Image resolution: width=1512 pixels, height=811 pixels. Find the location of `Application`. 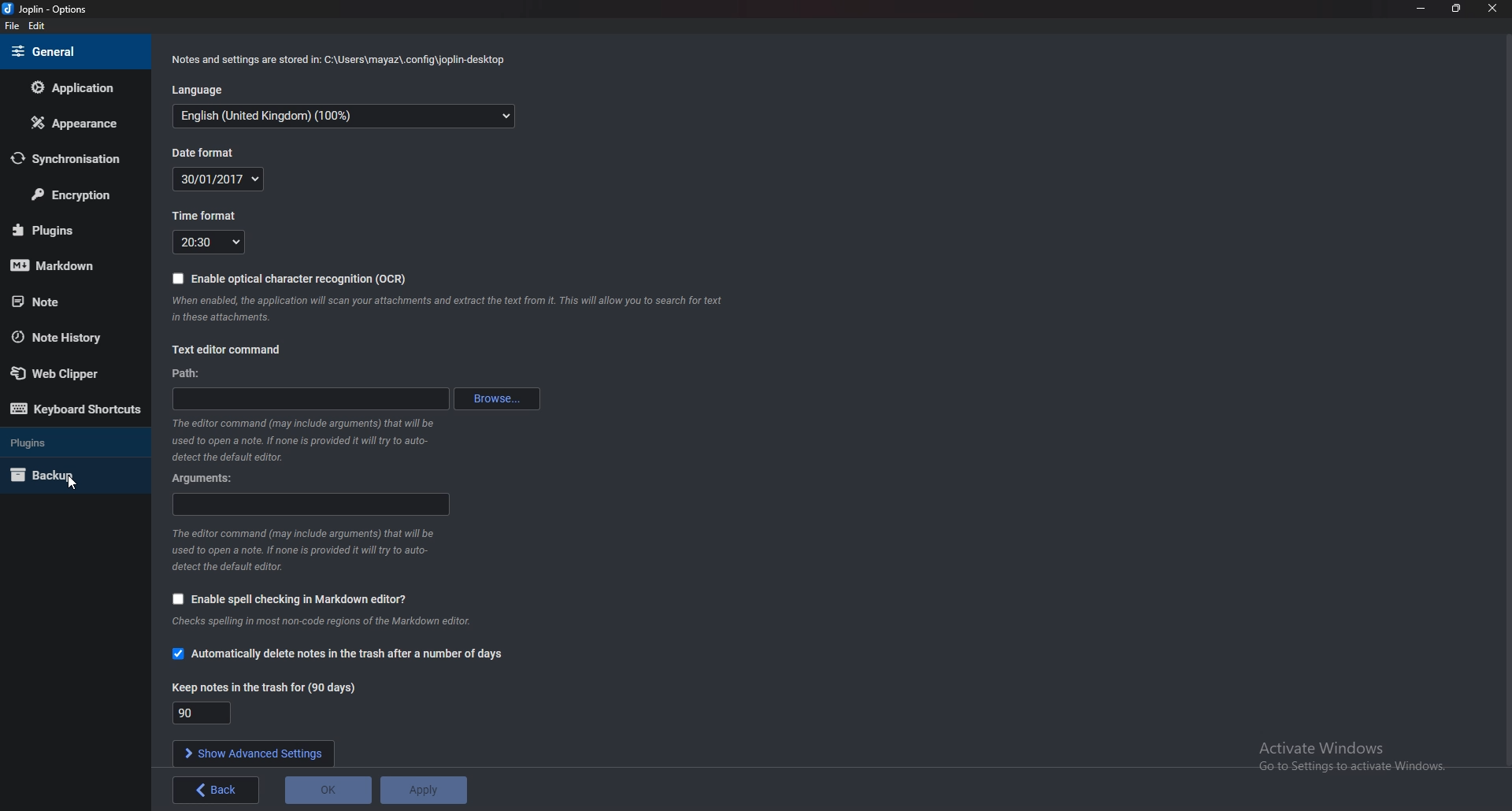

Application is located at coordinates (80, 87).